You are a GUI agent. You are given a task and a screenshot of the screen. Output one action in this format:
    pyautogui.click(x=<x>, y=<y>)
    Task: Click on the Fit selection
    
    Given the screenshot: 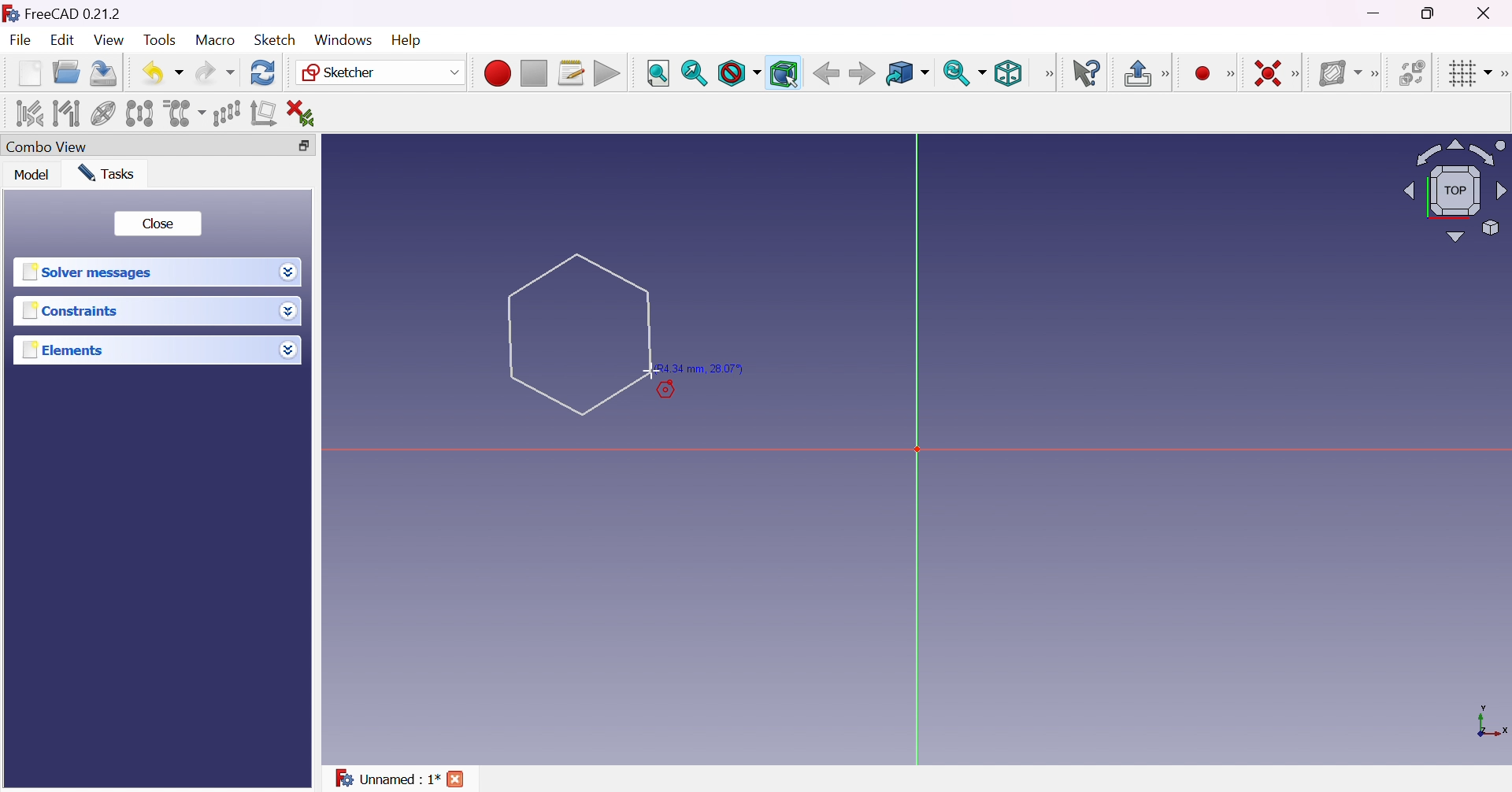 What is the action you would take?
    pyautogui.click(x=695, y=73)
    